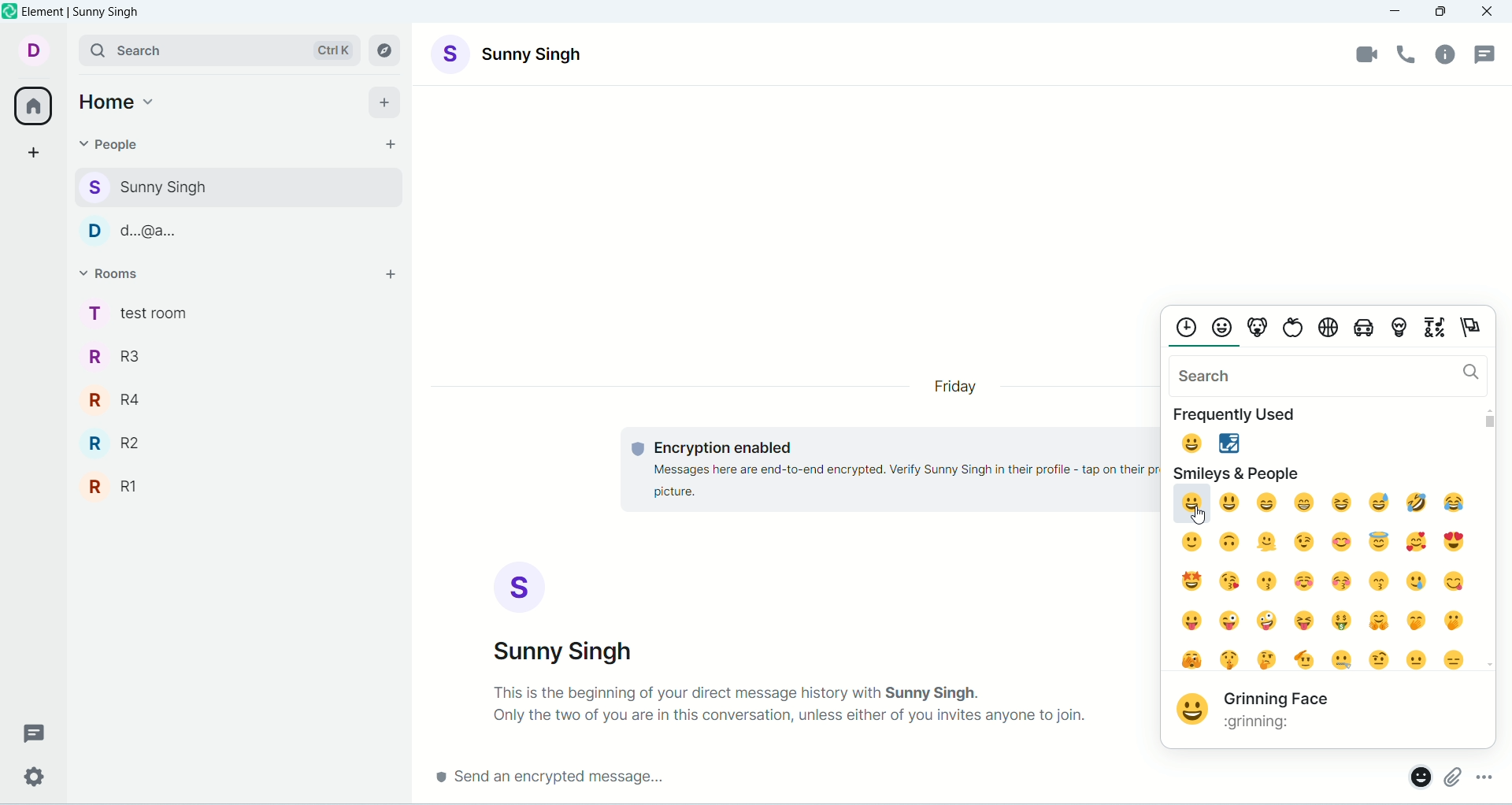 This screenshot has width=1512, height=805. I want to click on minimize, so click(1396, 13).